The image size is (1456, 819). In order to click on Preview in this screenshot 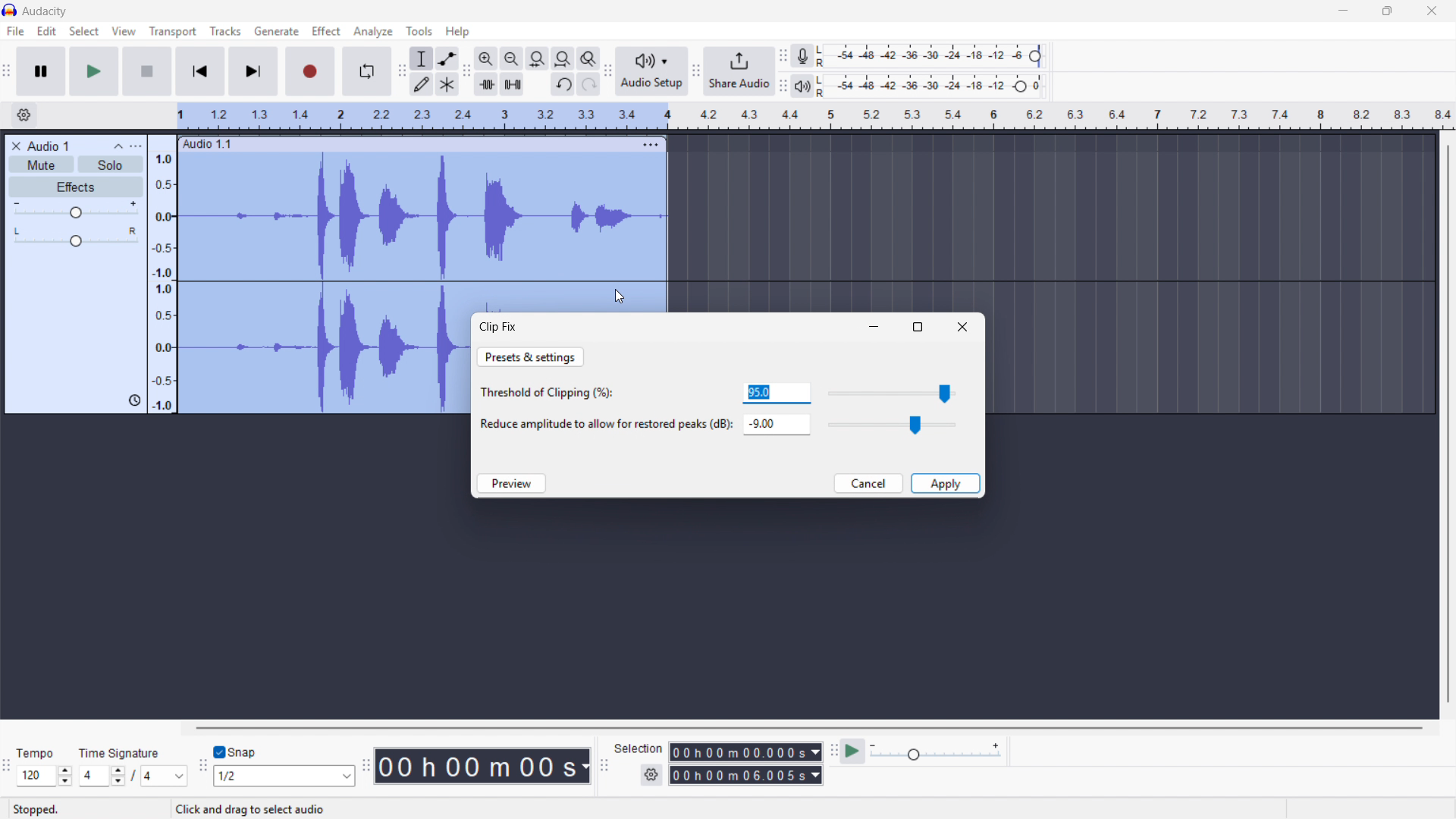, I will do `click(510, 483)`.